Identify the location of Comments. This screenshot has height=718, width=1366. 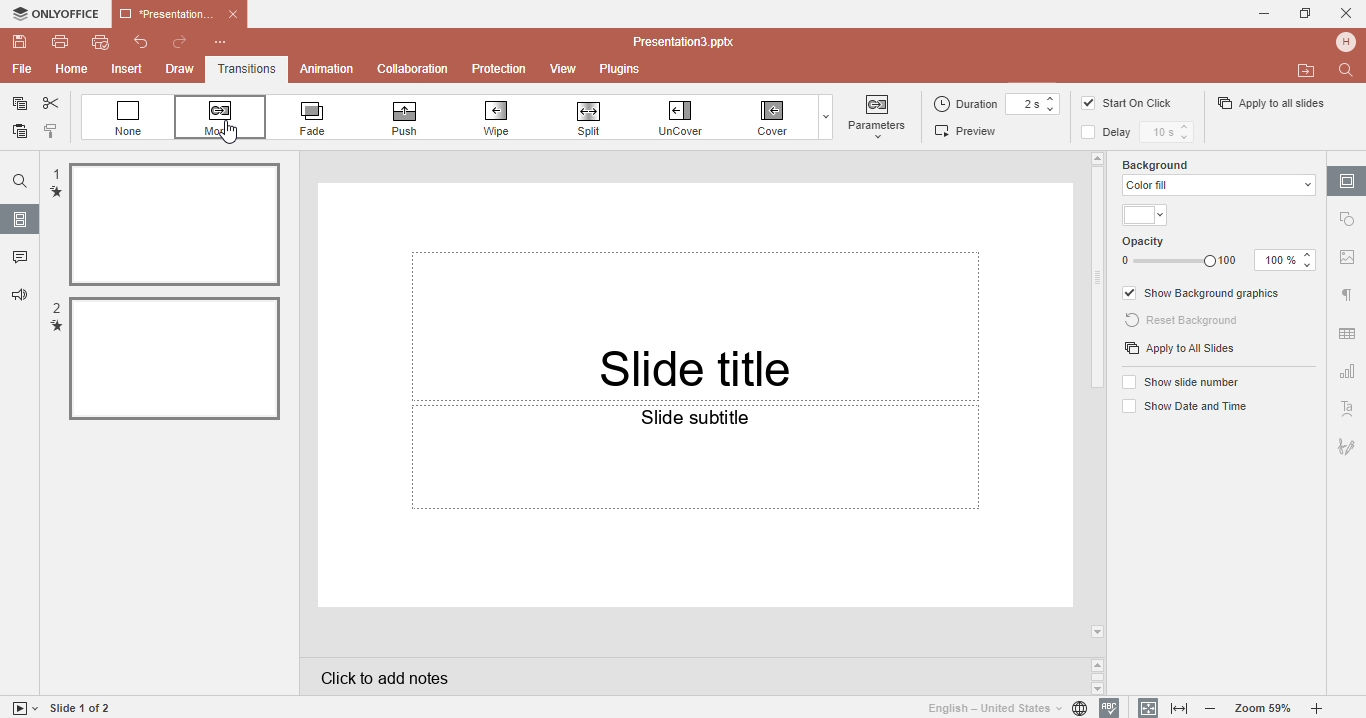
(19, 259).